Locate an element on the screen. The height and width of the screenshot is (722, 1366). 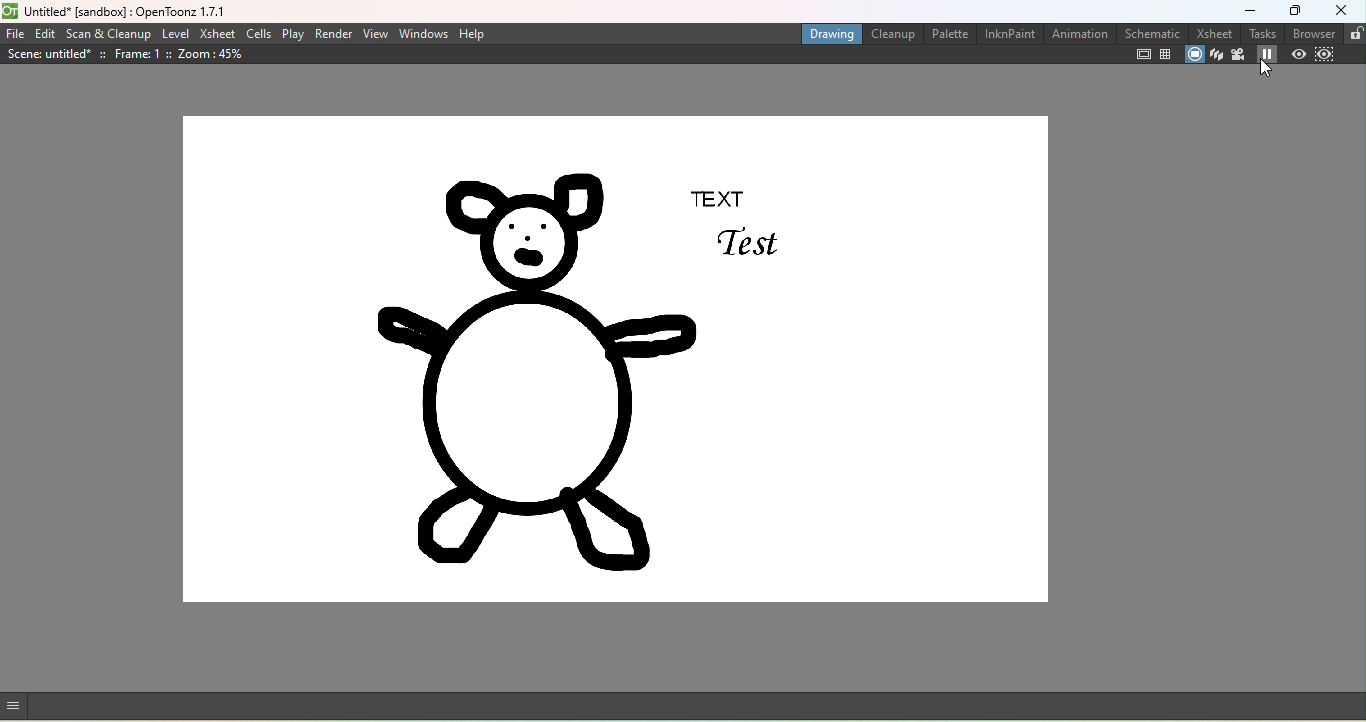
Xsheet is located at coordinates (1214, 31).